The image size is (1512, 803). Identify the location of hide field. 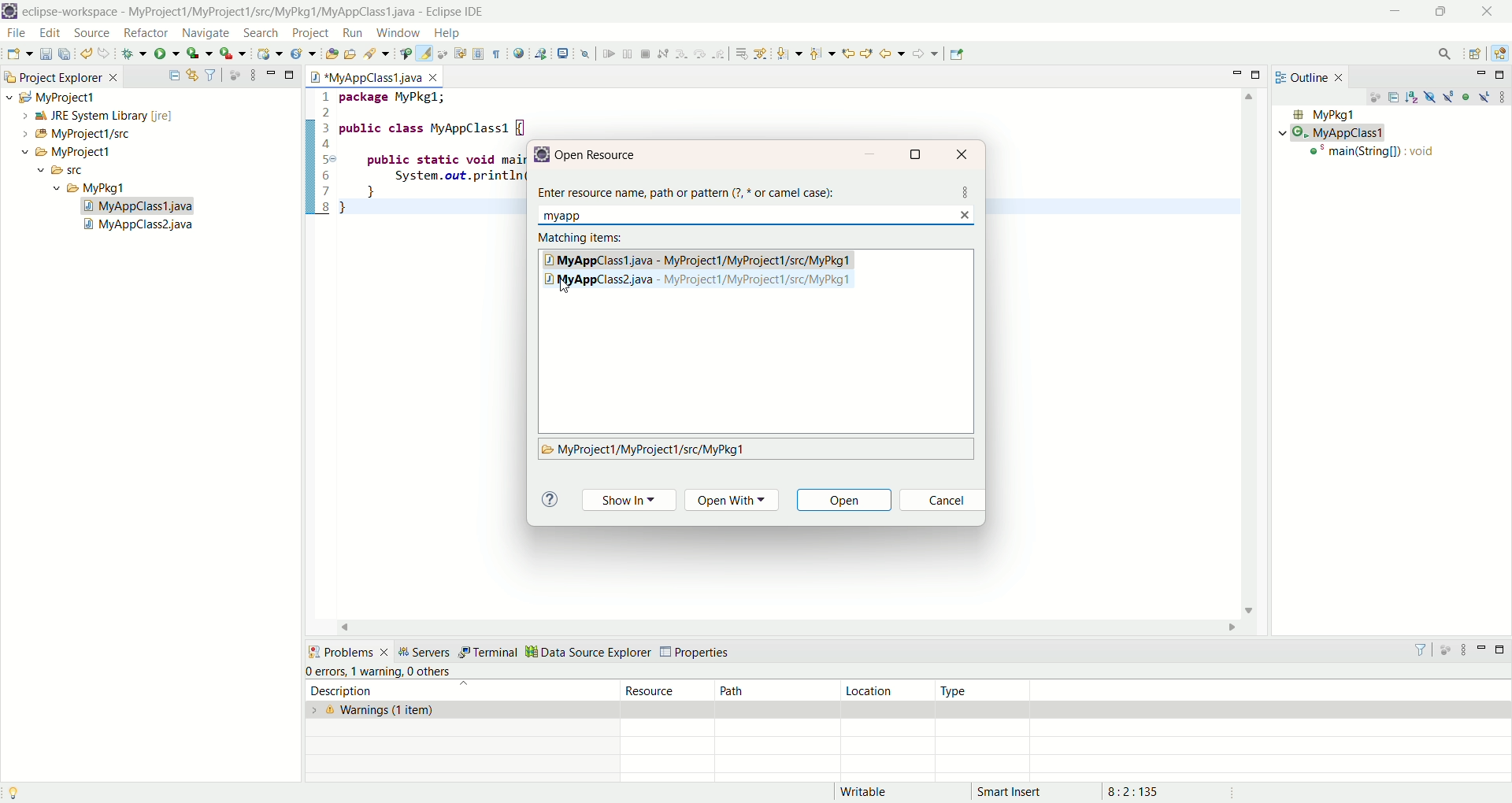
(1428, 96).